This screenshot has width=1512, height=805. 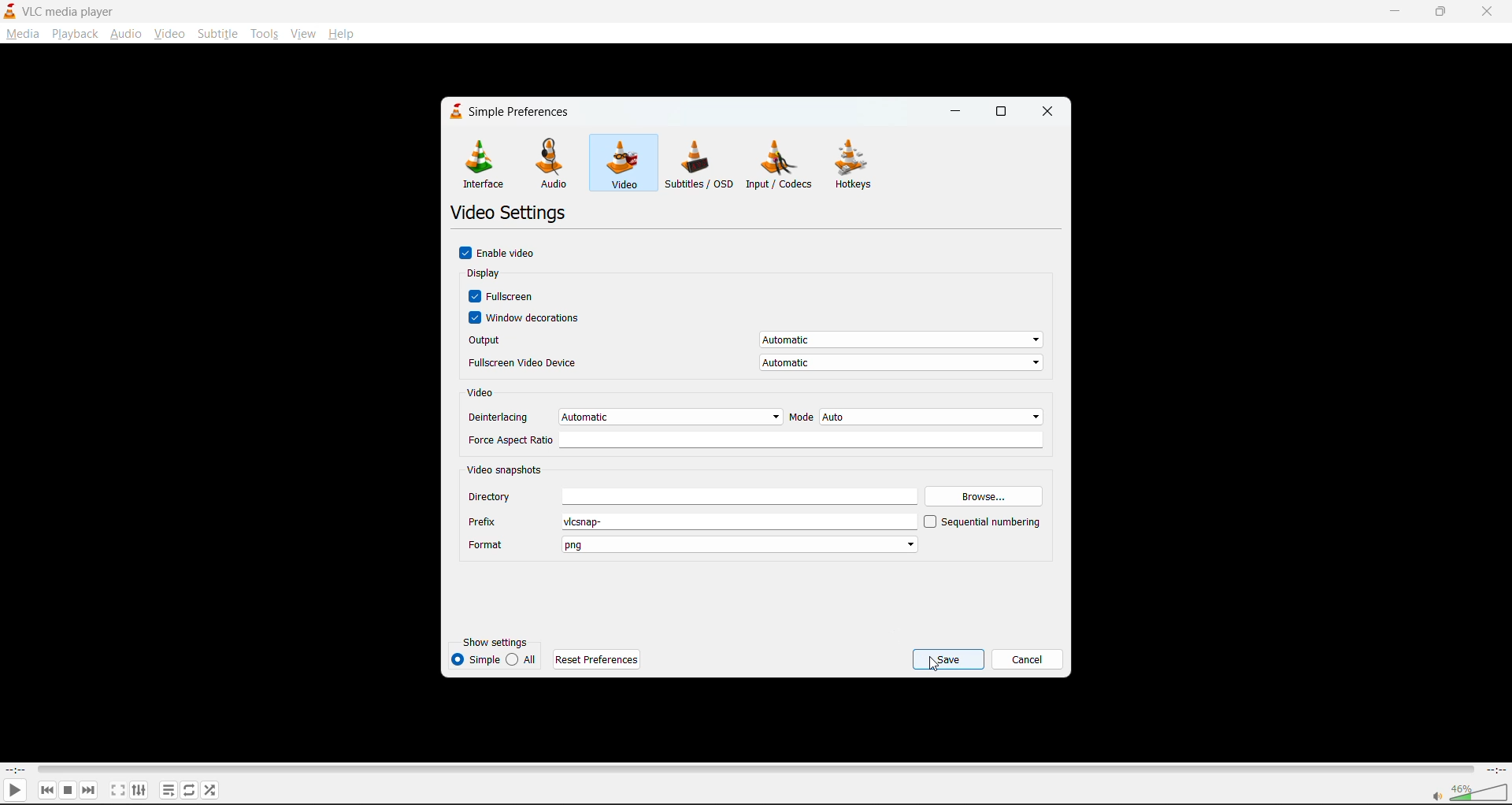 I want to click on view, so click(x=303, y=34).